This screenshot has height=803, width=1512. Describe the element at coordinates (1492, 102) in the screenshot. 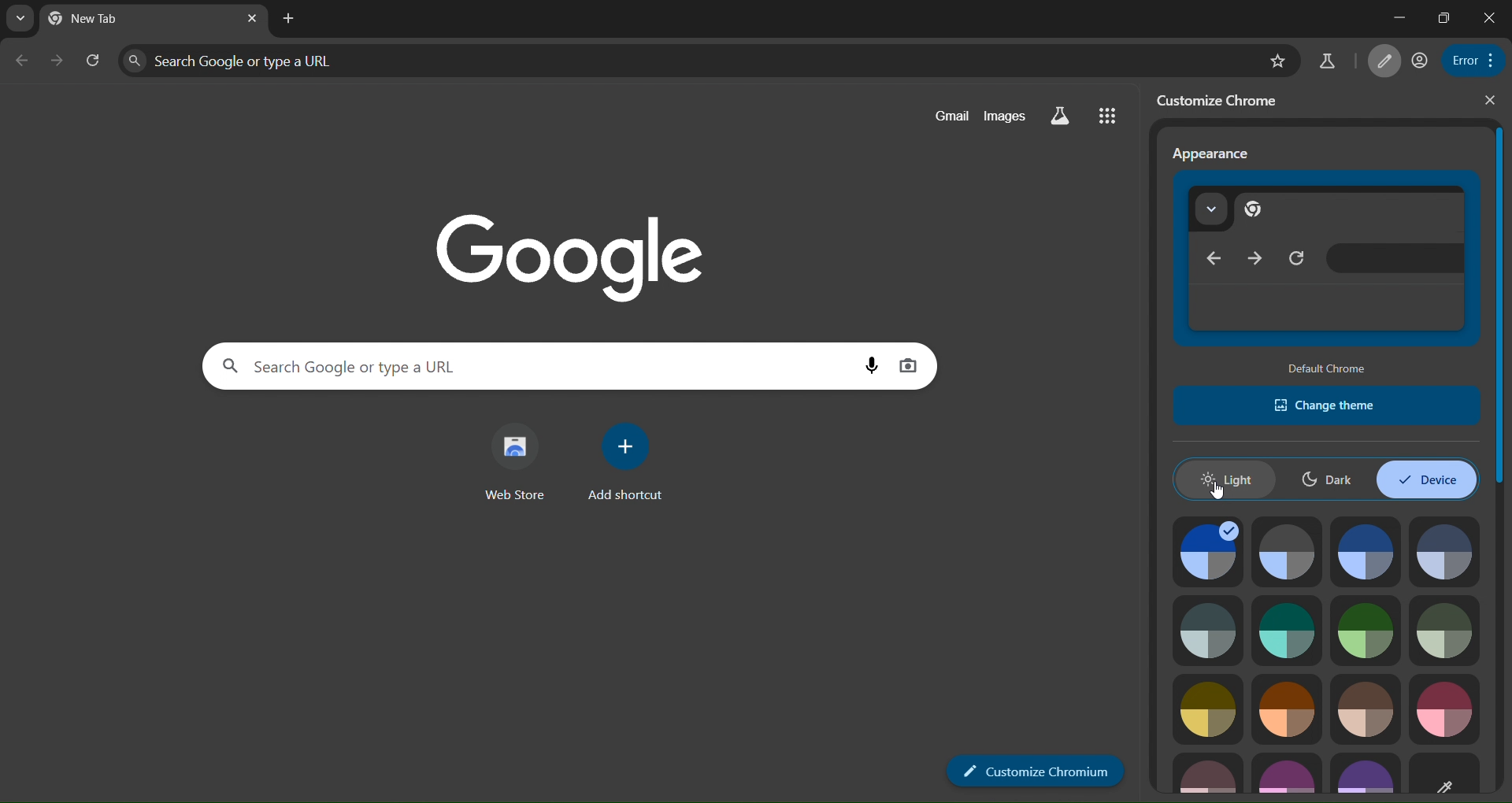

I see `close` at that location.